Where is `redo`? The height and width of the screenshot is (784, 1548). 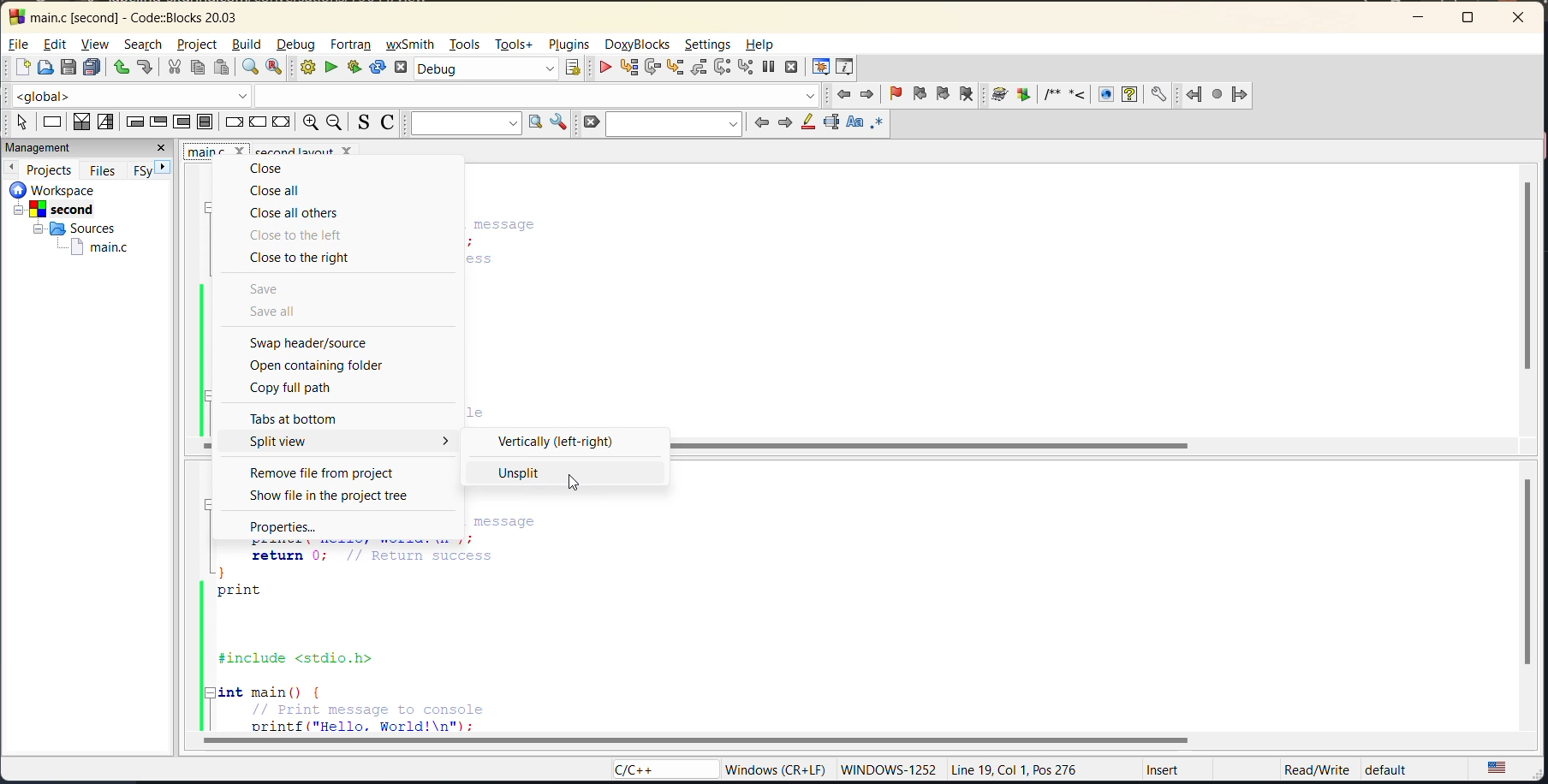
redo is located at coordinates (146, 68).